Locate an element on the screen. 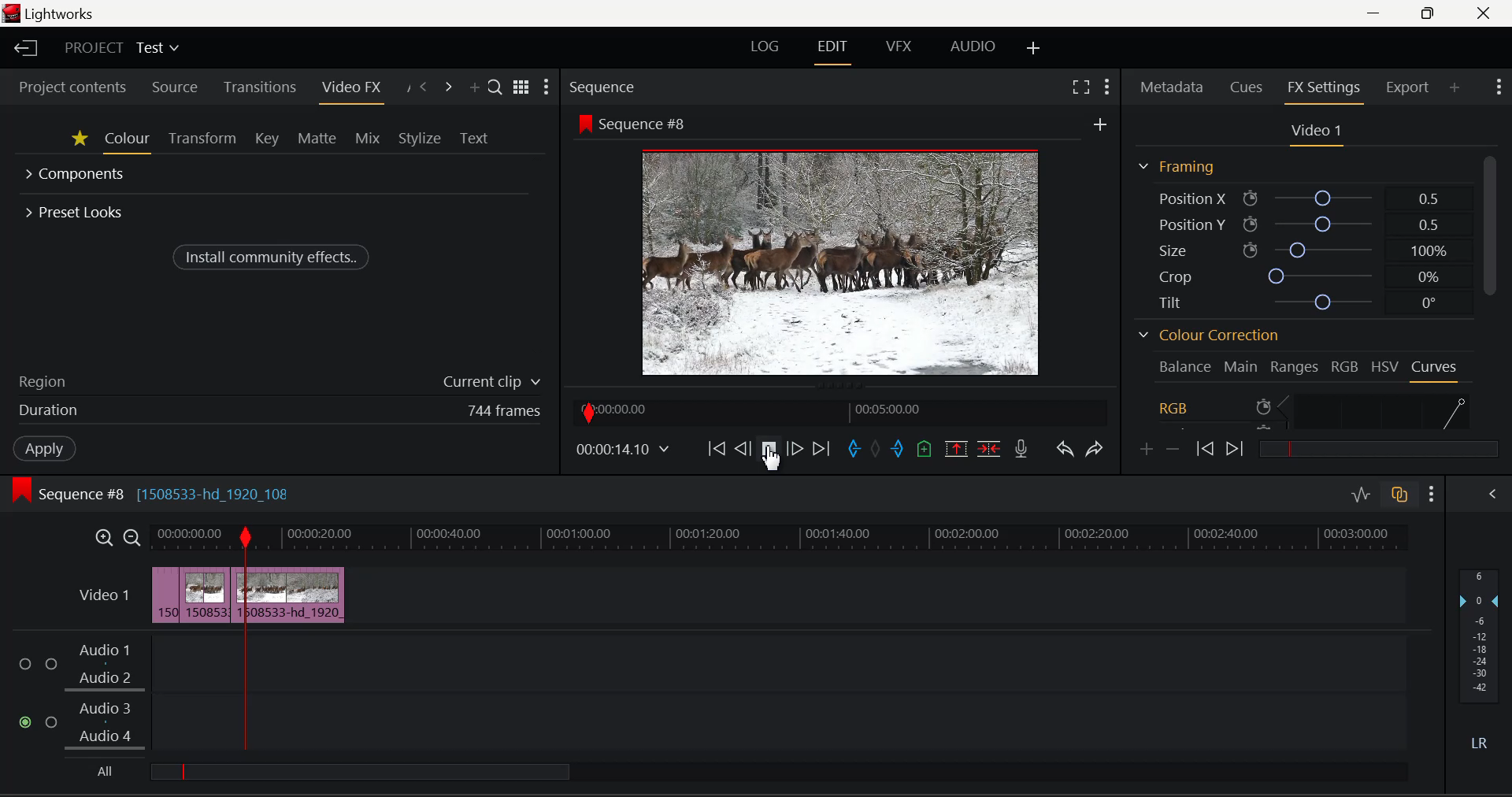  Restore Down is located at coordinates (1376, 13).